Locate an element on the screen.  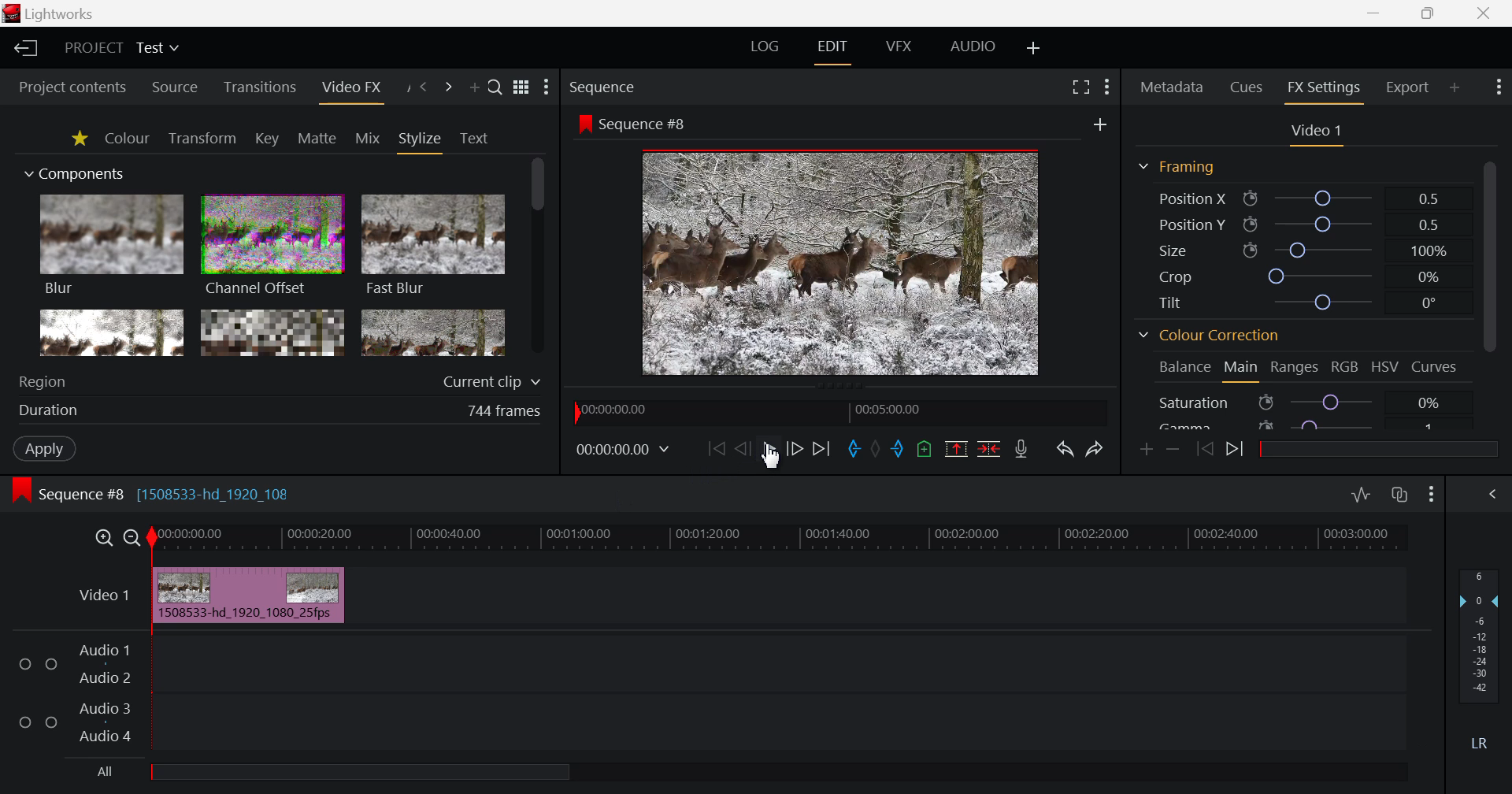
Show Settings is located at coordinates (1497, 89).